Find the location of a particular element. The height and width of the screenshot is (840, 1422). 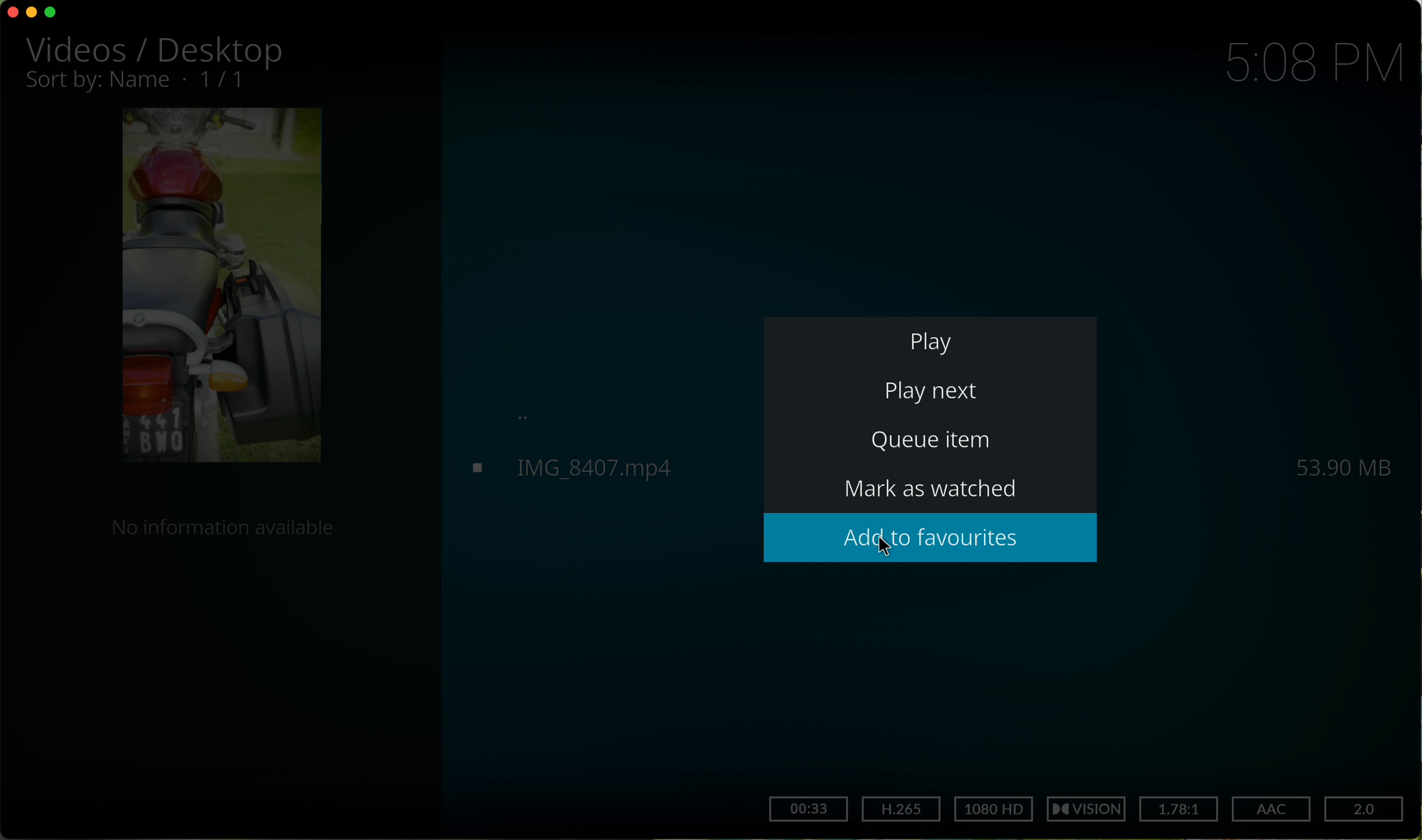

play is located at coordinates (930, 340).